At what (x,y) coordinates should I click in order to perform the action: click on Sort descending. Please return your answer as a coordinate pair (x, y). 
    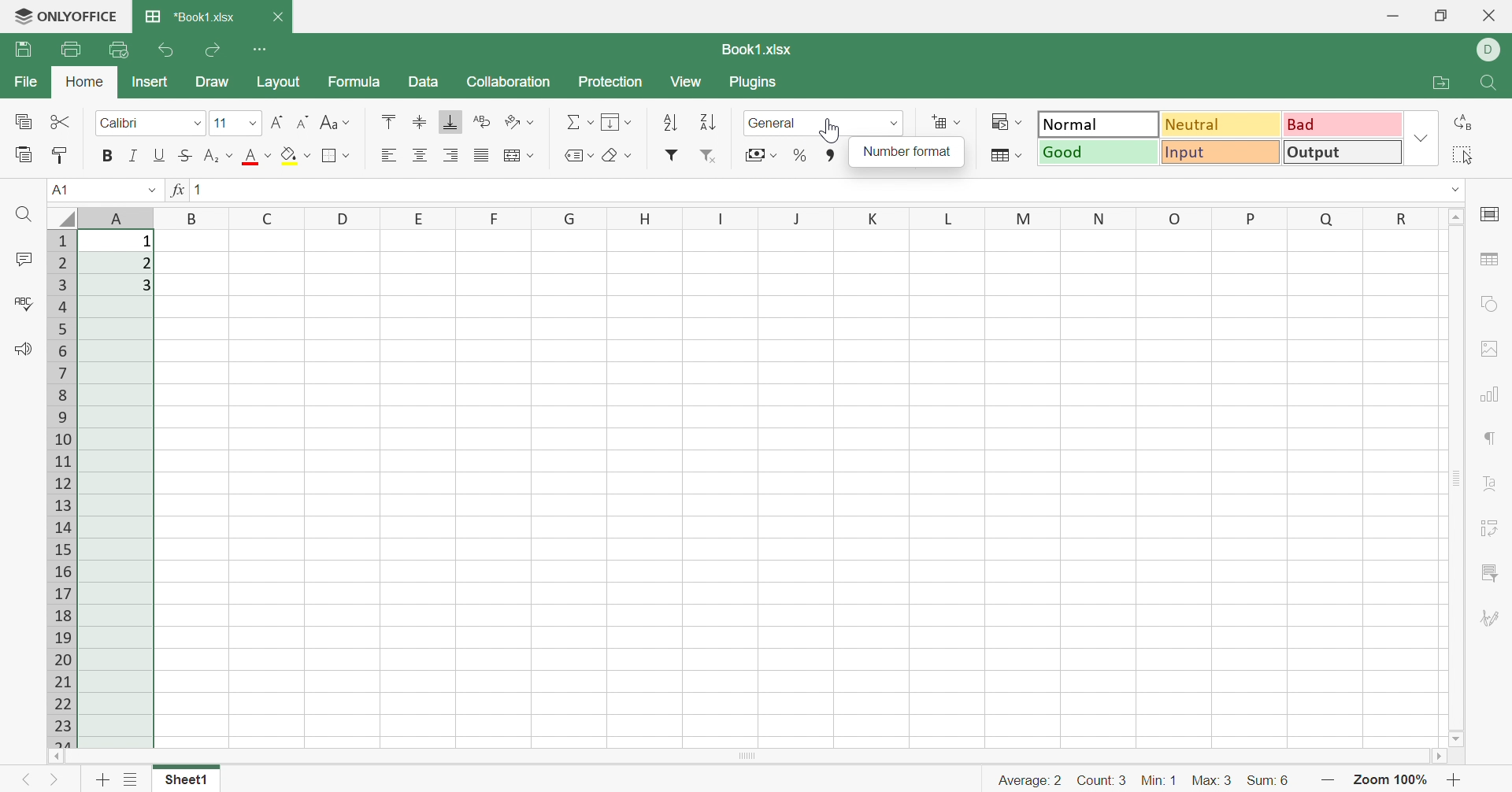
    Looking at the image, I should click on (707, 122).